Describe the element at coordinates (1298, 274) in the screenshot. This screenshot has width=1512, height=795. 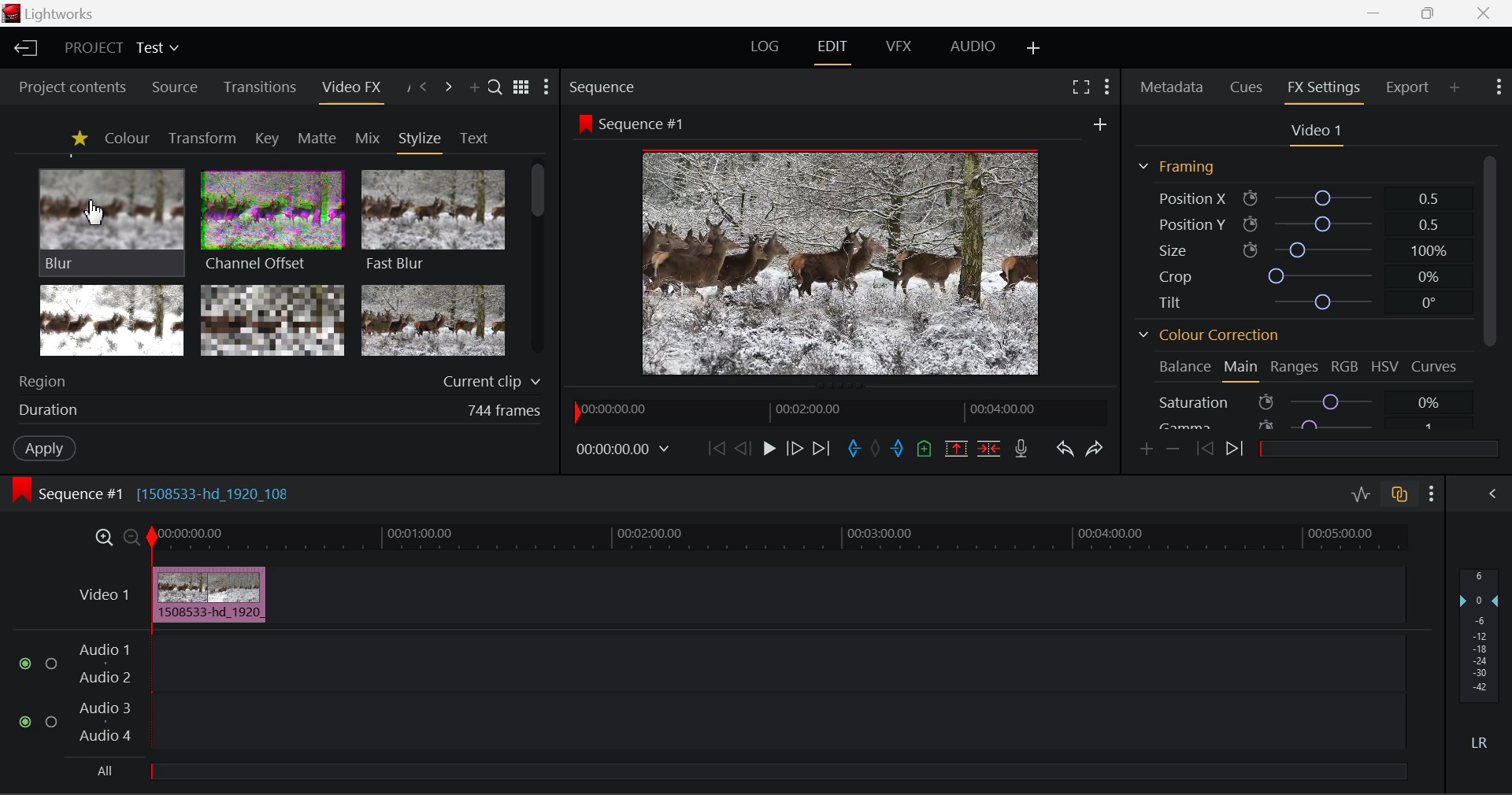
I see `Crop` at that location.